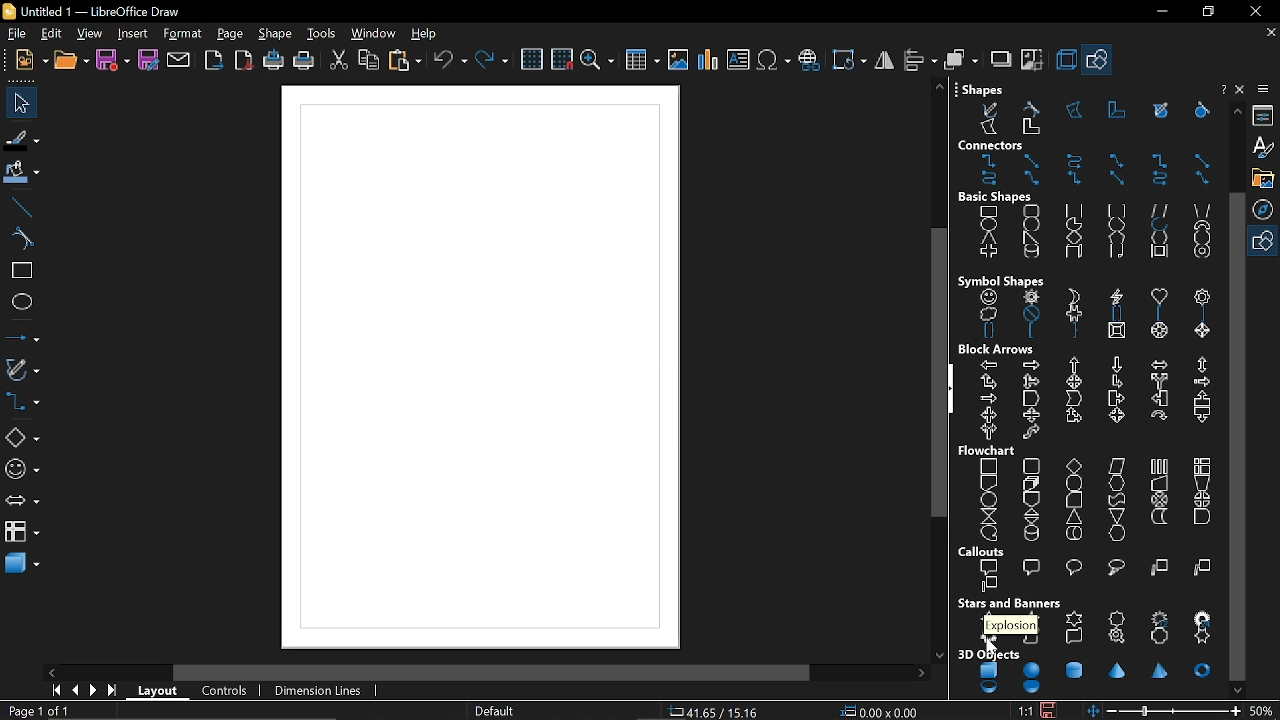 This screenshot has height=720, width=1280. What do you see at coordinates (988, 650) in the screenshot?
I see `Cursor` at bounding box center [988, 650].